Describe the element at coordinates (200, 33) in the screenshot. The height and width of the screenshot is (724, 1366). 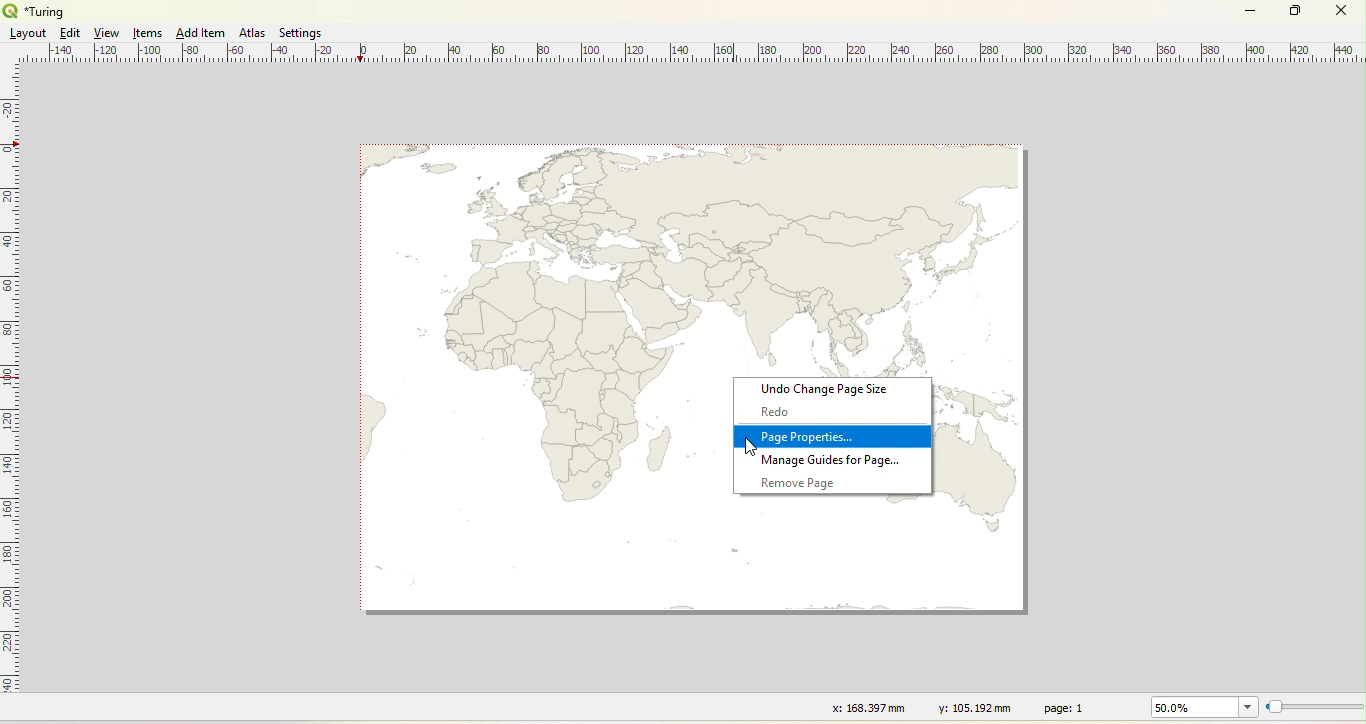
I see `Add Item` at that location.